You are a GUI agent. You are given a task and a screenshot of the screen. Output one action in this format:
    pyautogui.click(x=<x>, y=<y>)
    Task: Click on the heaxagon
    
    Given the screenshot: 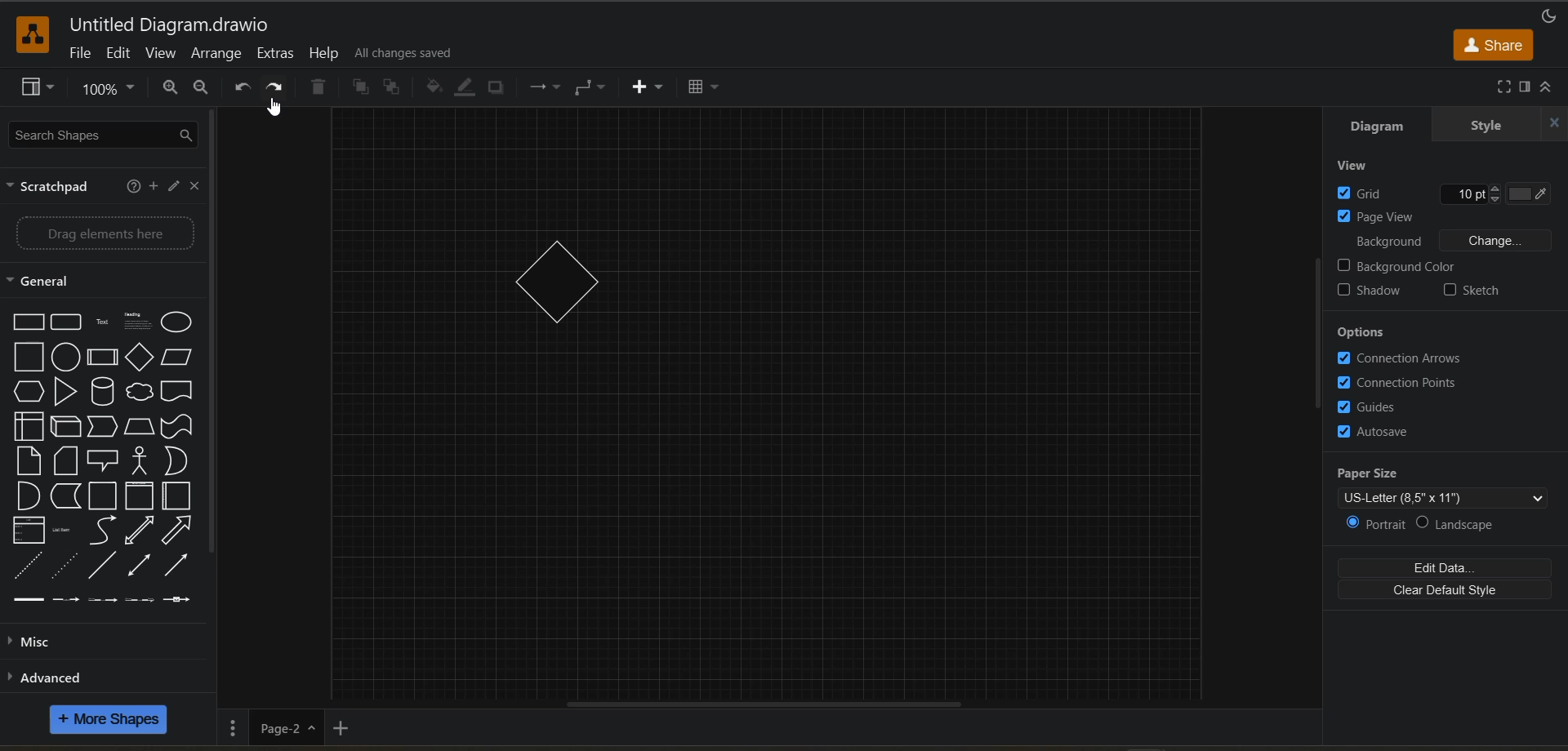 What is the action you would take?
    pyautogui.click(x=29, y=392)
    